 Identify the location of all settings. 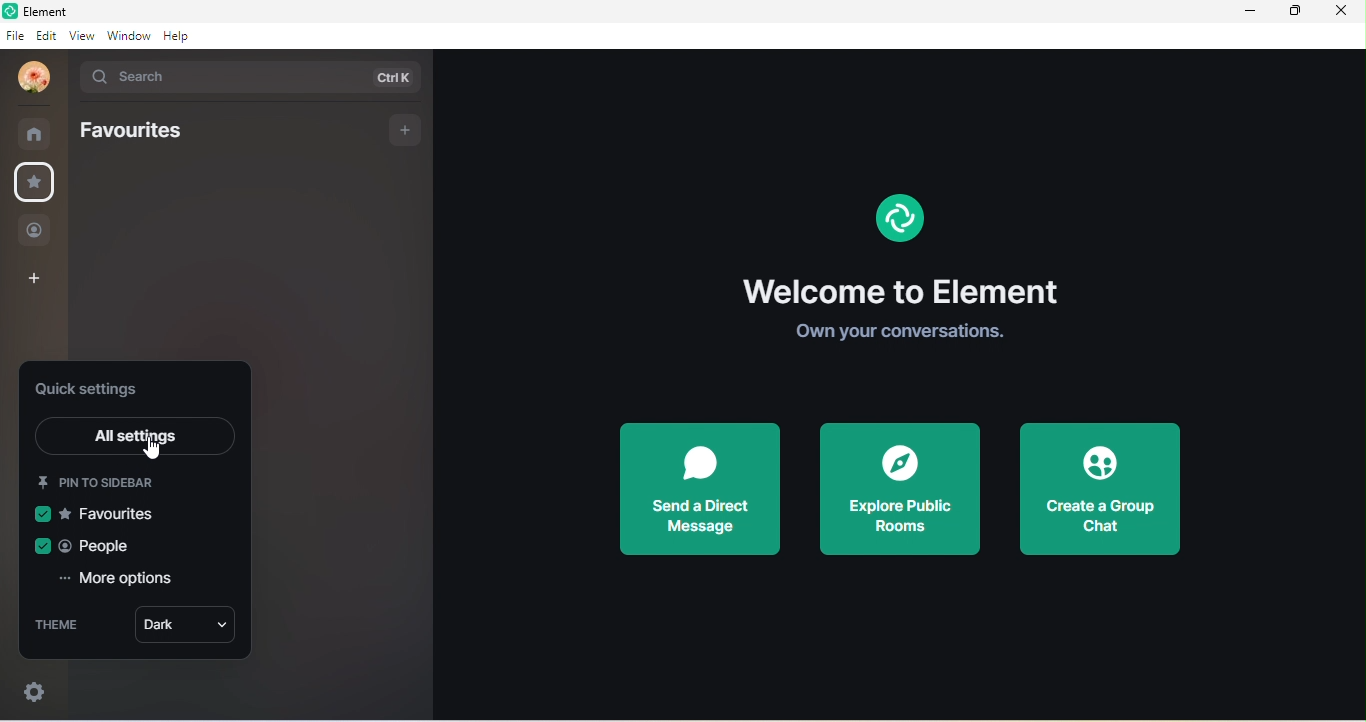
(136, 439).